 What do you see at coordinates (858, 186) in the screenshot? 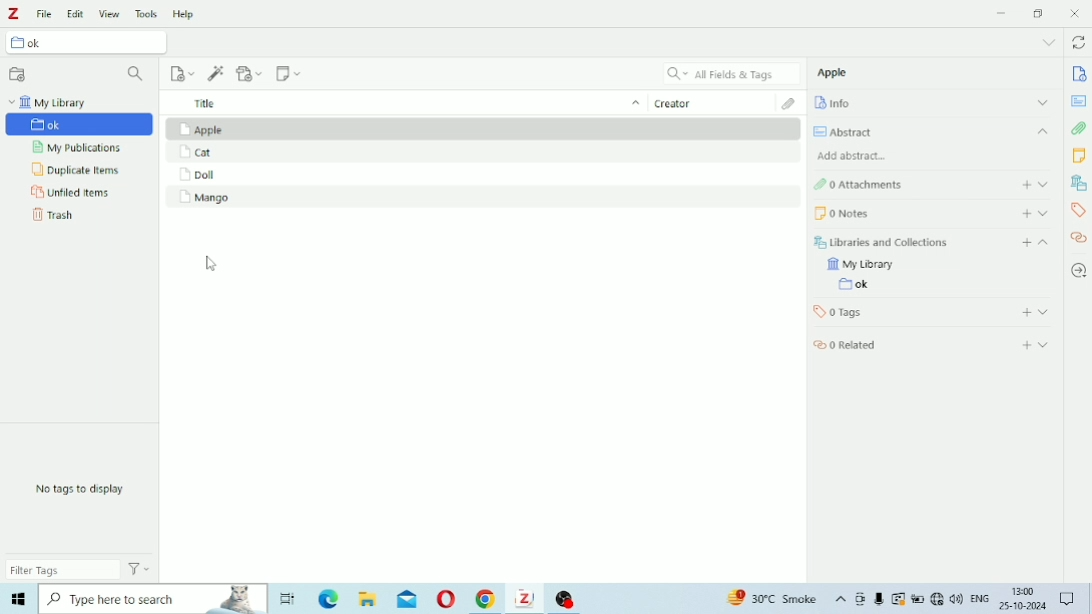
I see `Attachments` at bounding box center [858, 186].